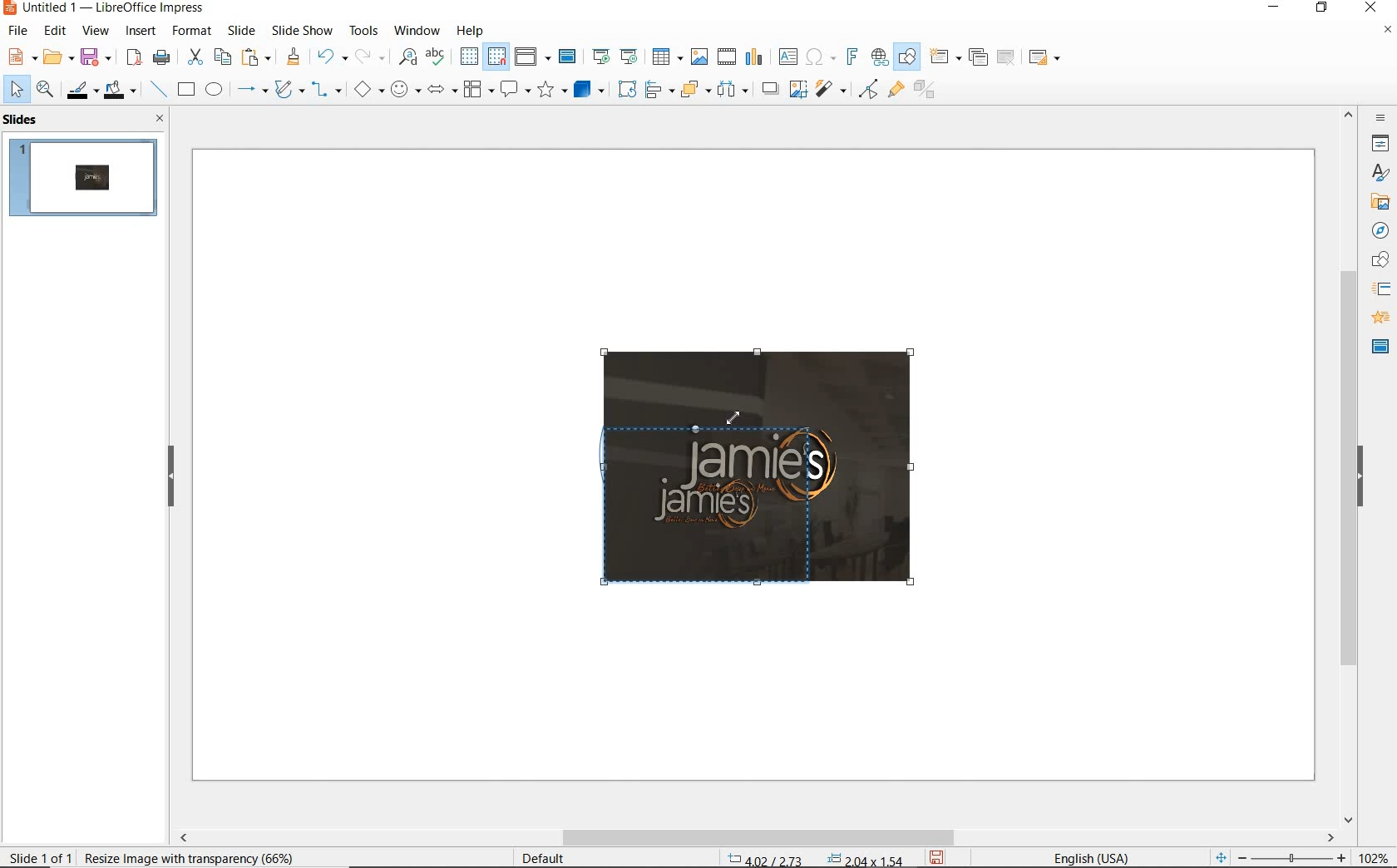 This screenshot has height=868, width=1397. What do you see at coordinates (17, 90) in the screenshot?
I see `select` at bounding box center [17, 90].